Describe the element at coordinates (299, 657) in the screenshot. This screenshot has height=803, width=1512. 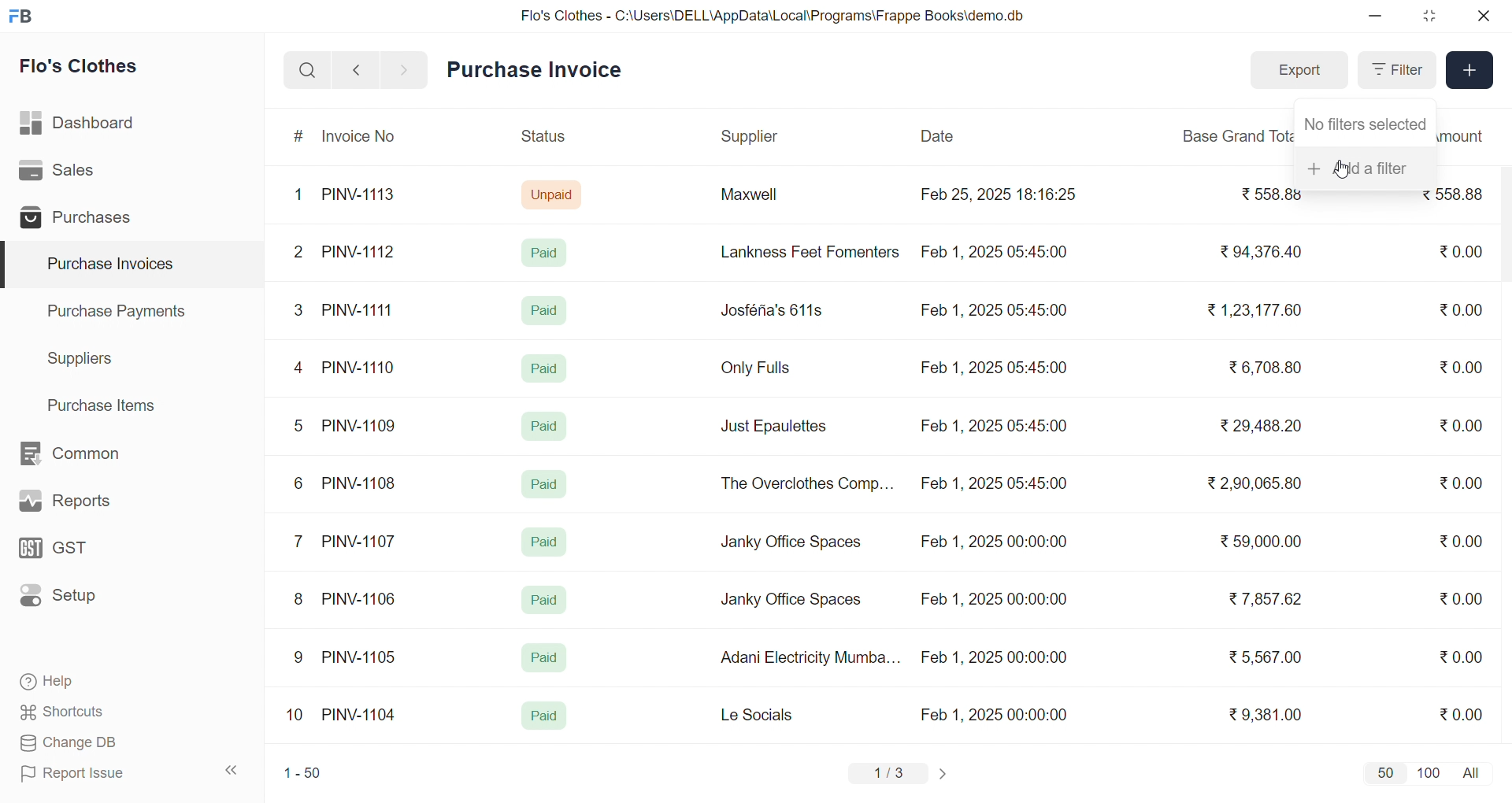
I see `9` at that location.